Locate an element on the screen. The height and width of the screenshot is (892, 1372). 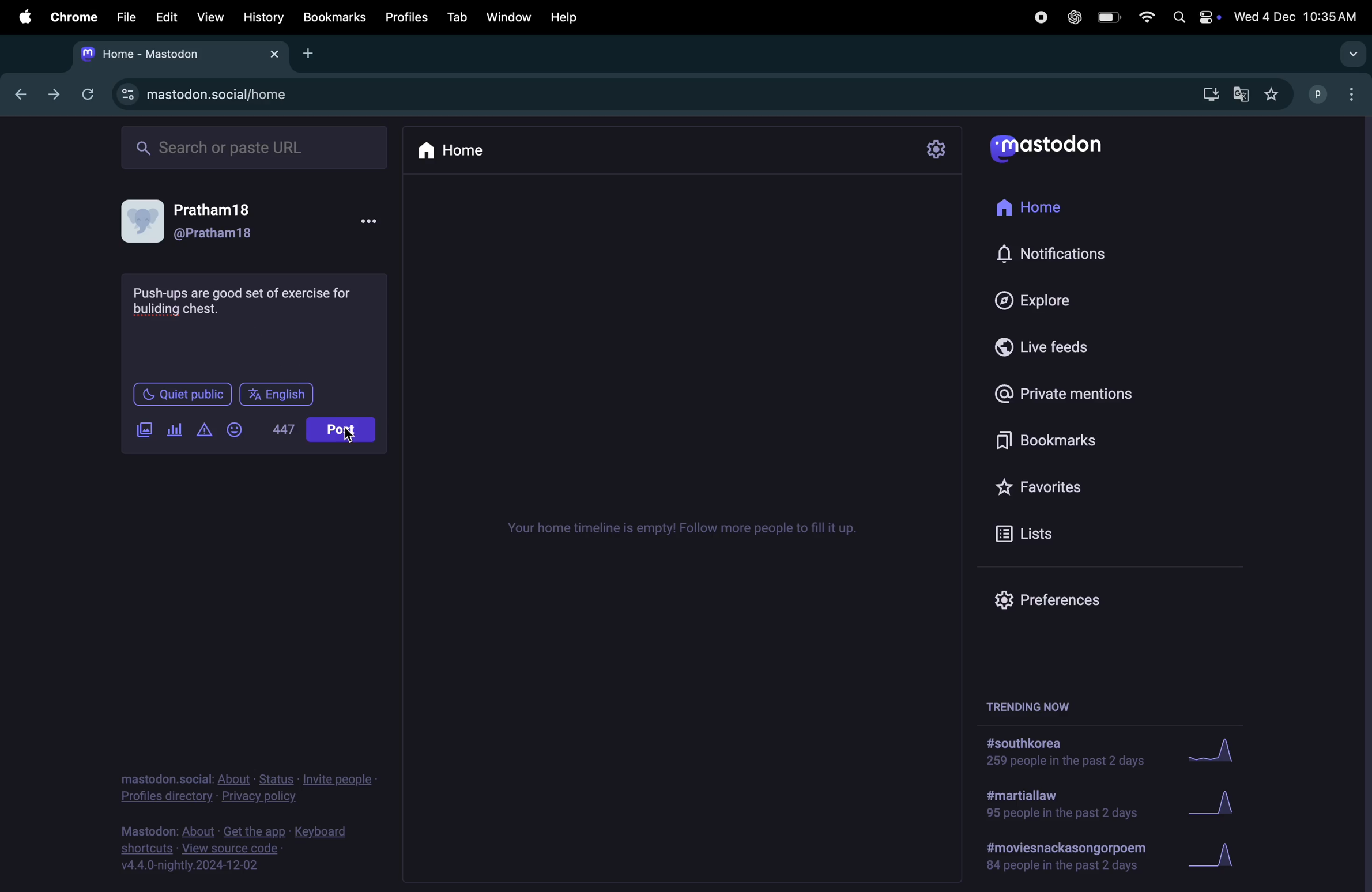
chatgpt is located at coordinates (1071, 19).